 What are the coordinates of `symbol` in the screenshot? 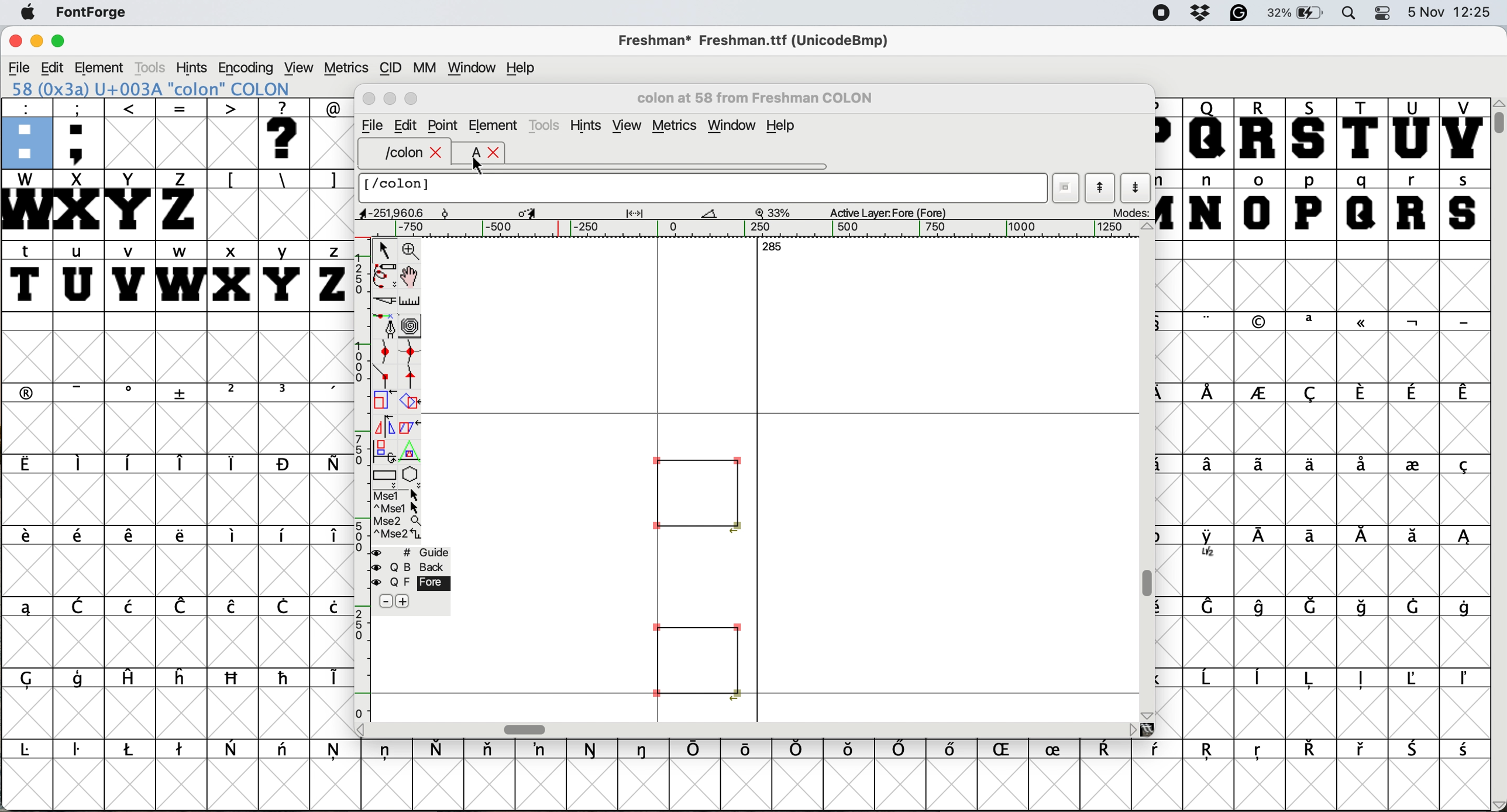 It's located at (1261, 322).